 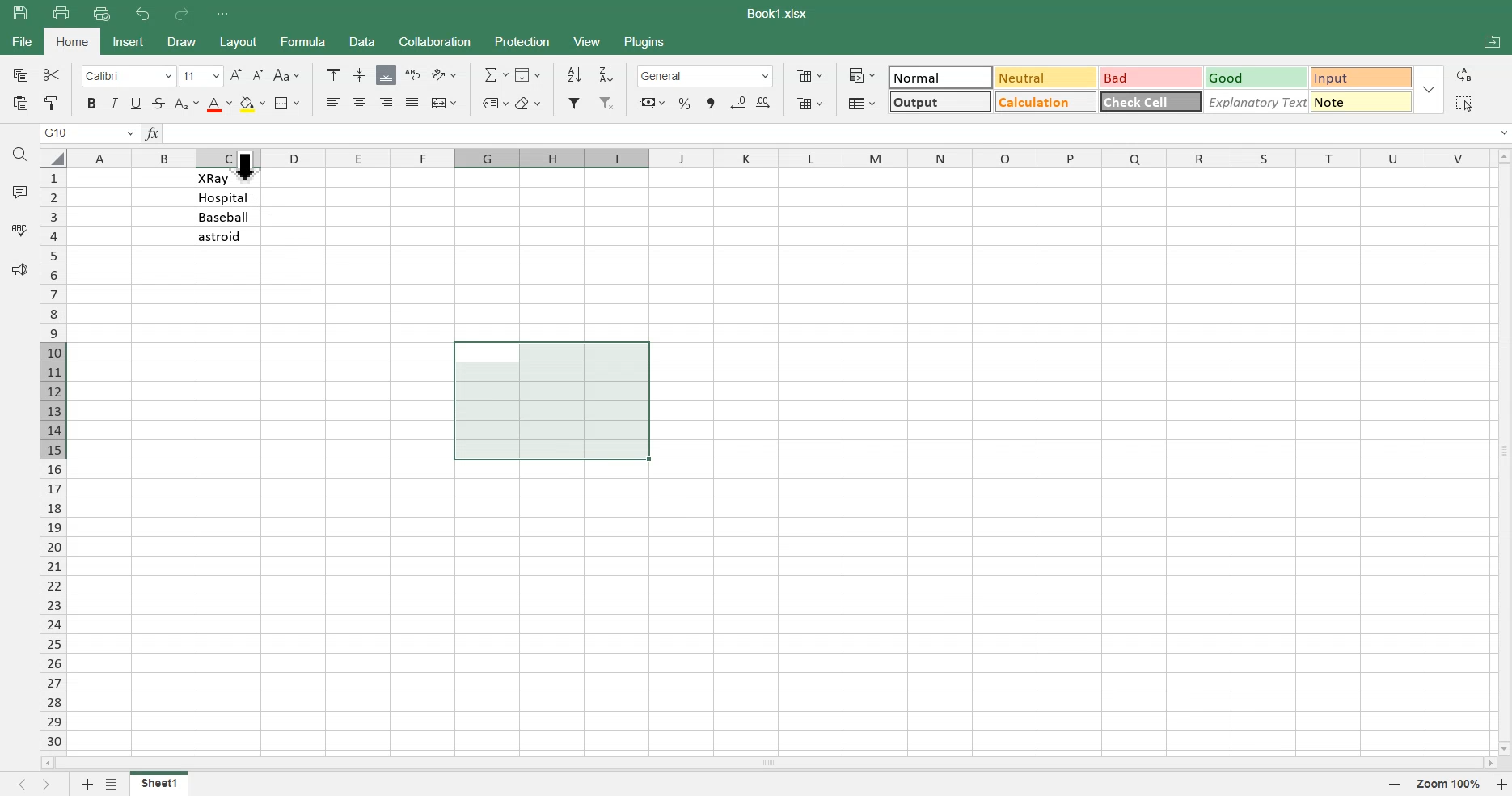 What do you see at coordinates (227, 178) in the screenshot?
I see `Xray` at bounding box center [227, 178].